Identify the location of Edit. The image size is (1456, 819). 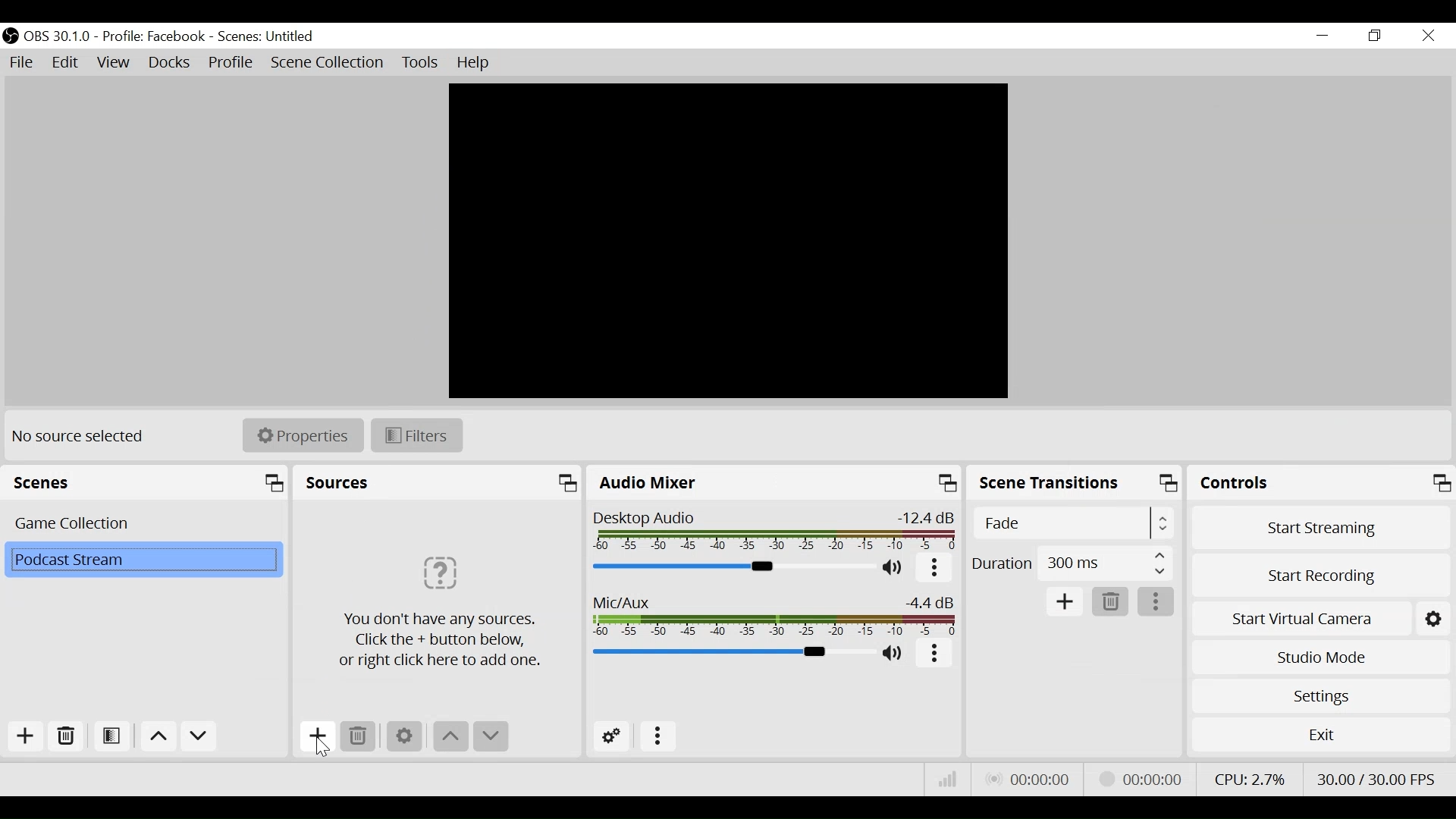
(65, 63).